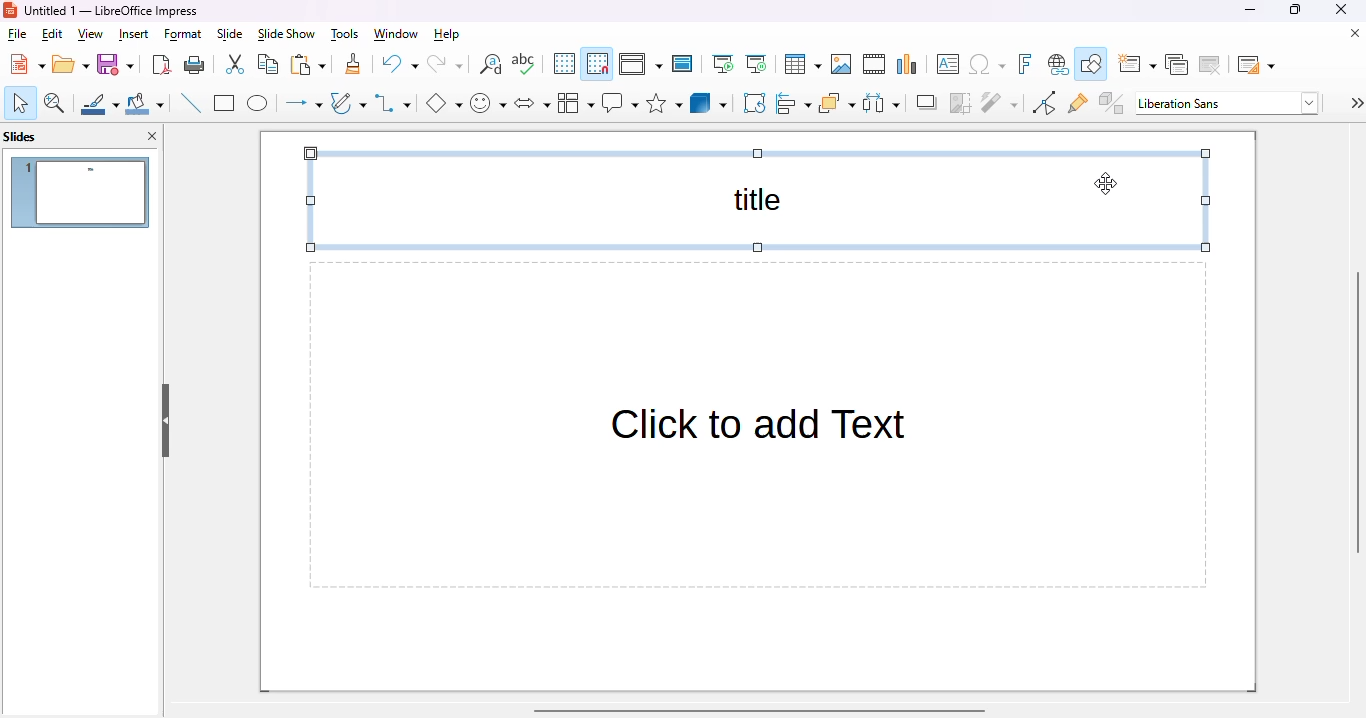  I want to click on title, so click(754, 201).